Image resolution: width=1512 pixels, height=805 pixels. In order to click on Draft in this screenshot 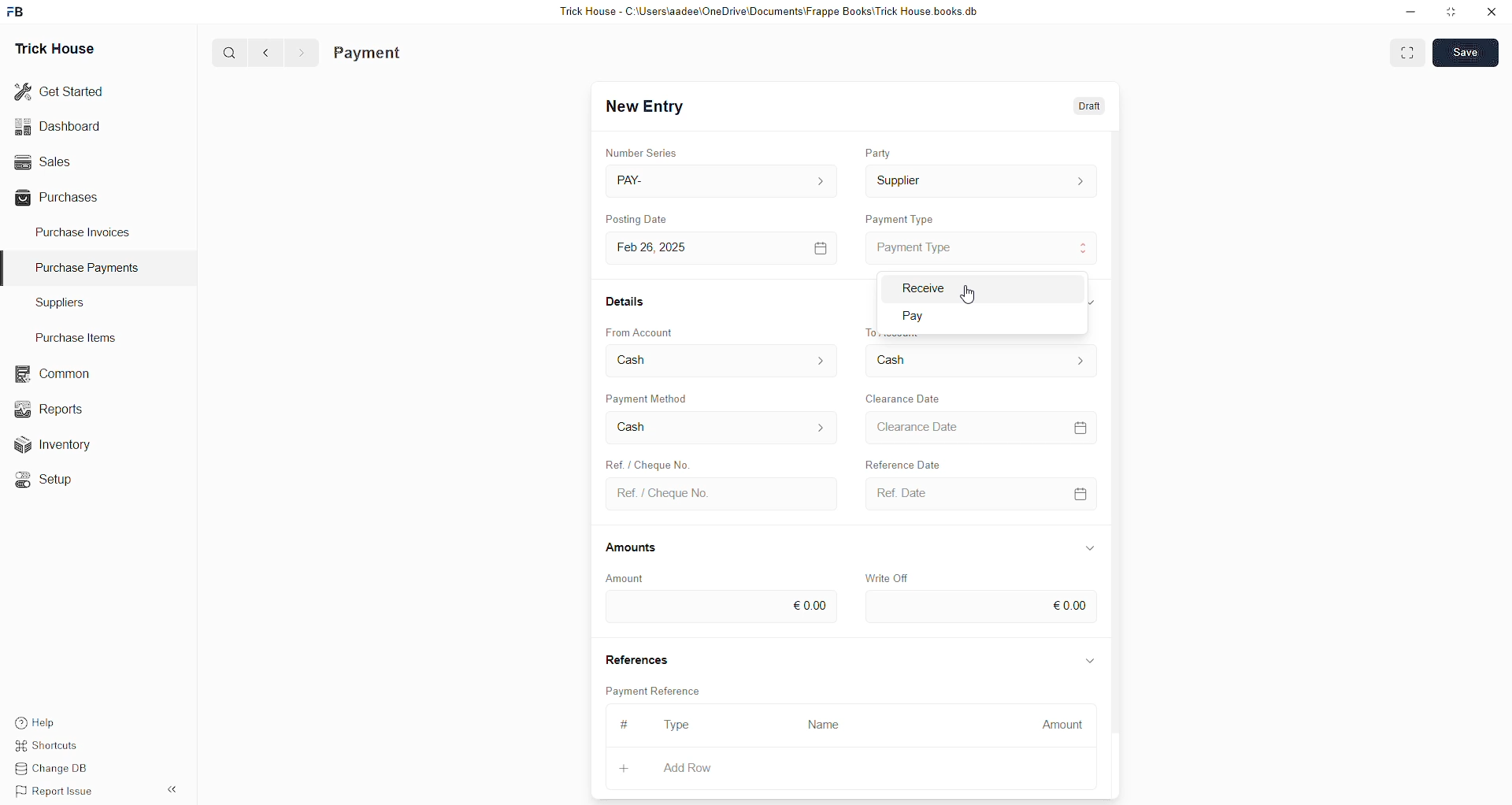, I will do `click(1085, 109)`.